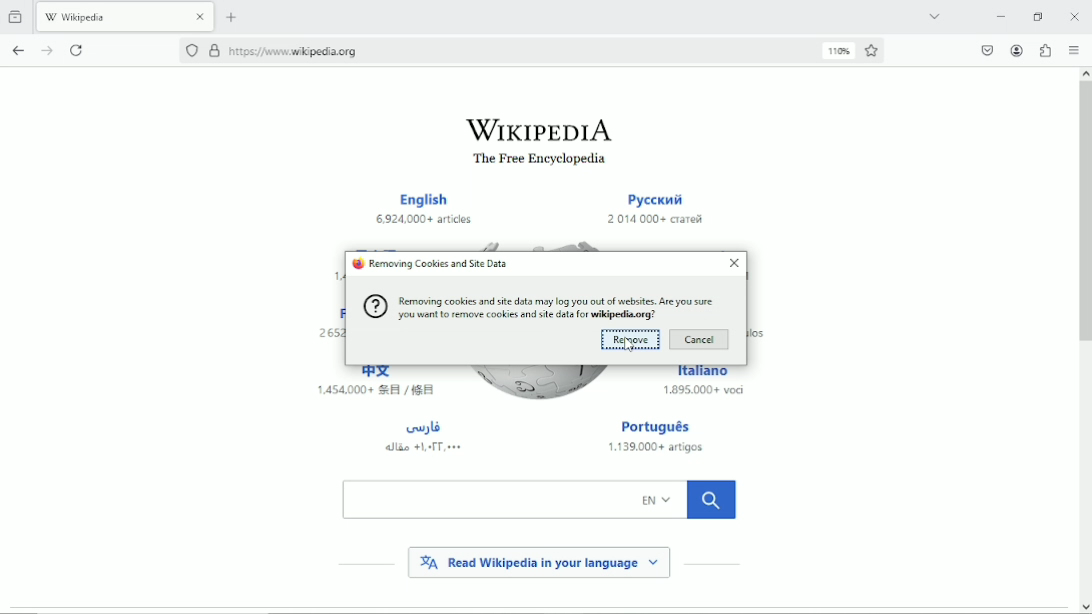  Describe the element at coordinates (1046, 50) in the screenshot. I see `extensions` at that location.